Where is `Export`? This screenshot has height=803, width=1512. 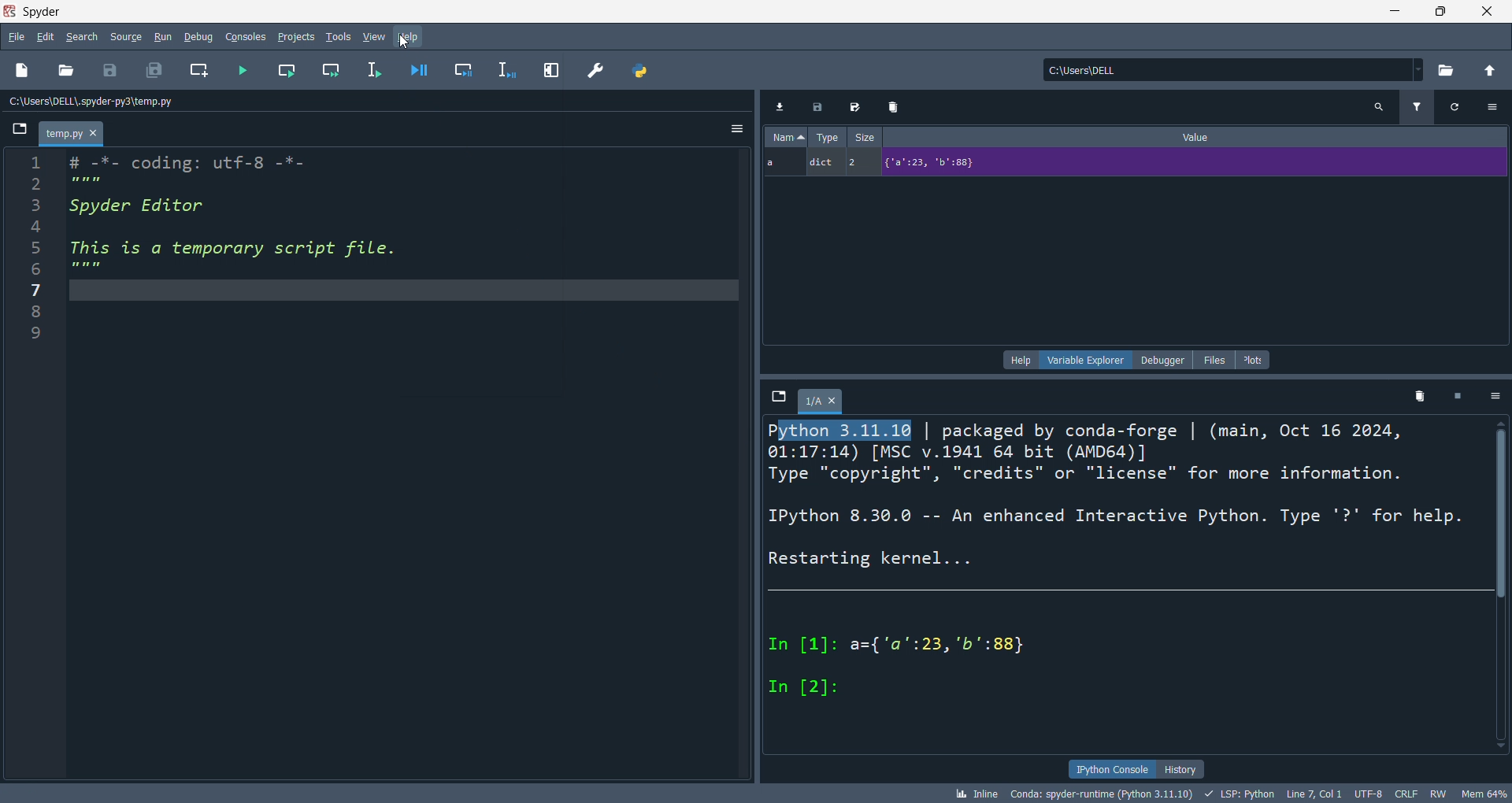 Export is located at coordinates (817, 108).